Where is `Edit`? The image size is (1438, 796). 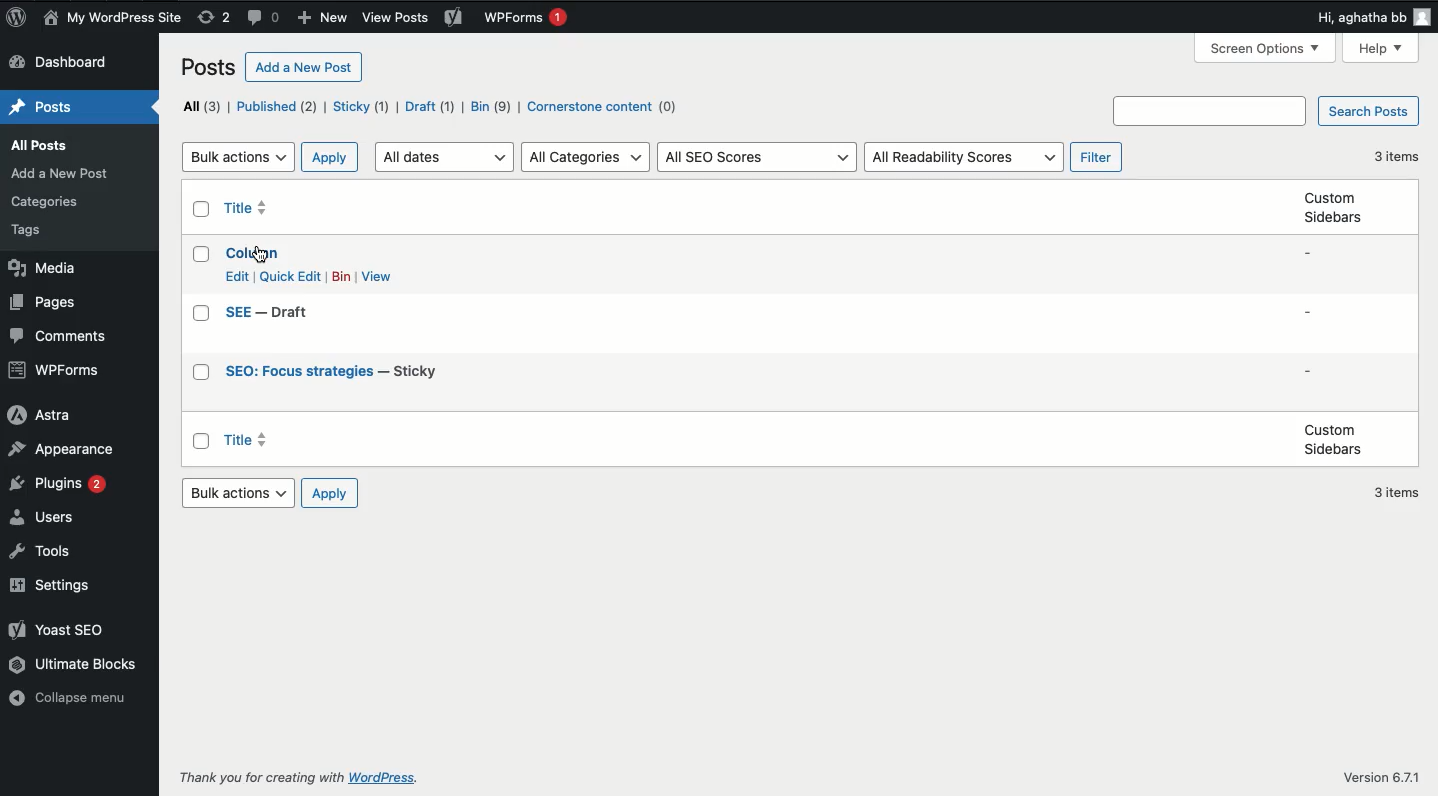 Edit is located at coordinates (237, 276).